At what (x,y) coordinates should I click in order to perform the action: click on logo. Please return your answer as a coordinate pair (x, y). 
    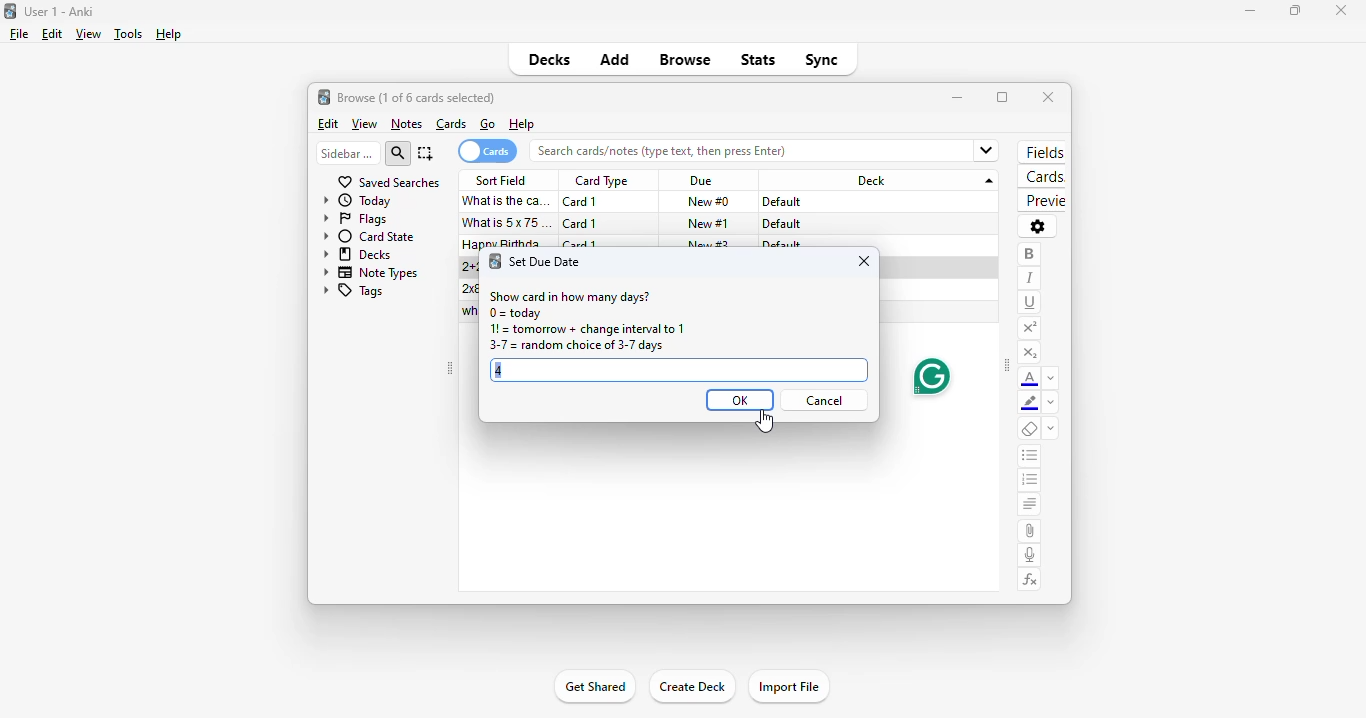
    Looking at the image, I should click on (494, 261).